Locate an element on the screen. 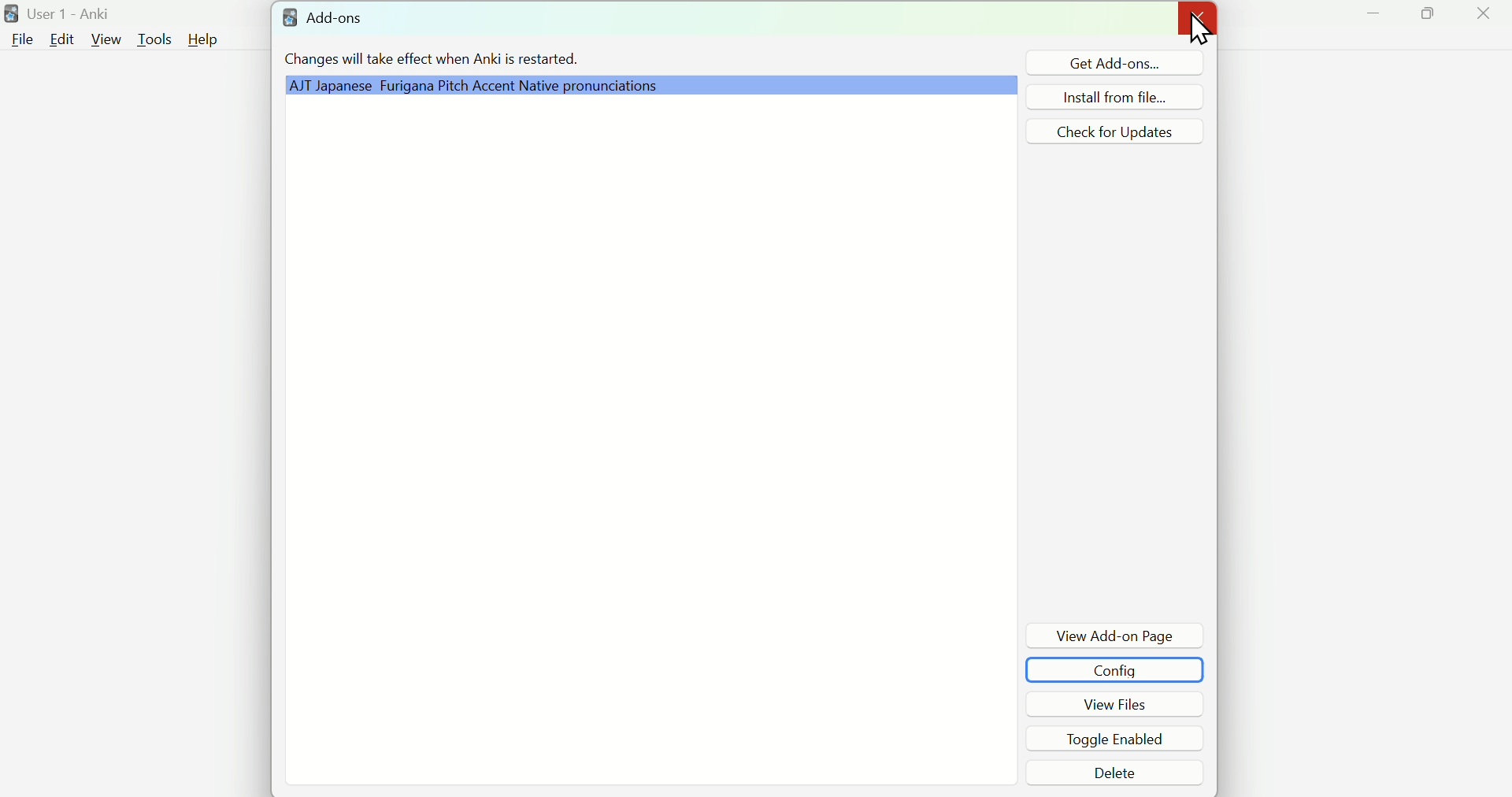  User 1 - Anki is located at coordinates (60, 13).